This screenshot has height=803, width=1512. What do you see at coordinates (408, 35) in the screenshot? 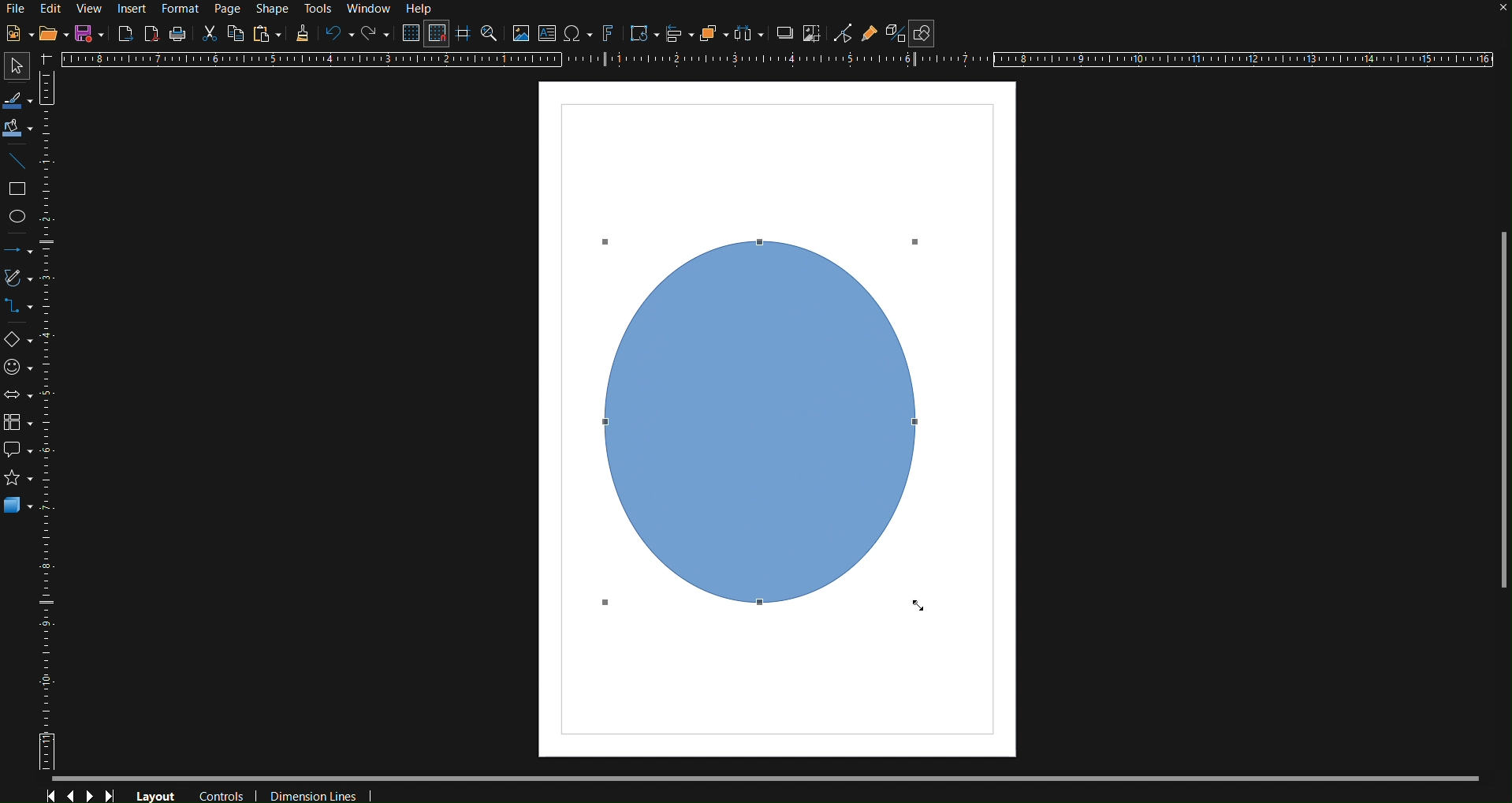
I see `Display Grid` at bounding box center [408, 35].